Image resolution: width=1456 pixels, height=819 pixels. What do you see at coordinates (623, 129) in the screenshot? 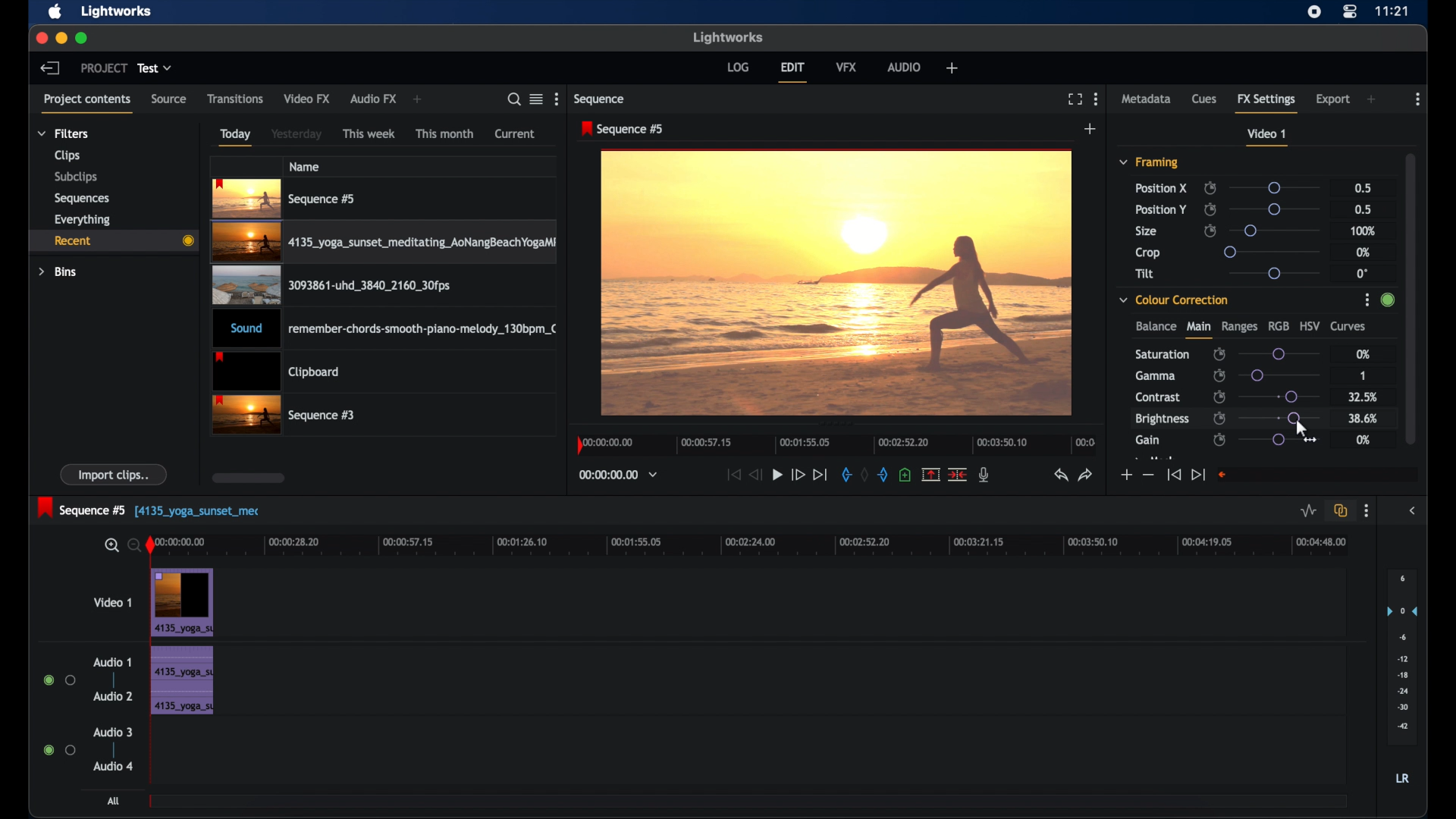
I see `sequence` at bounding box center [623, 129].